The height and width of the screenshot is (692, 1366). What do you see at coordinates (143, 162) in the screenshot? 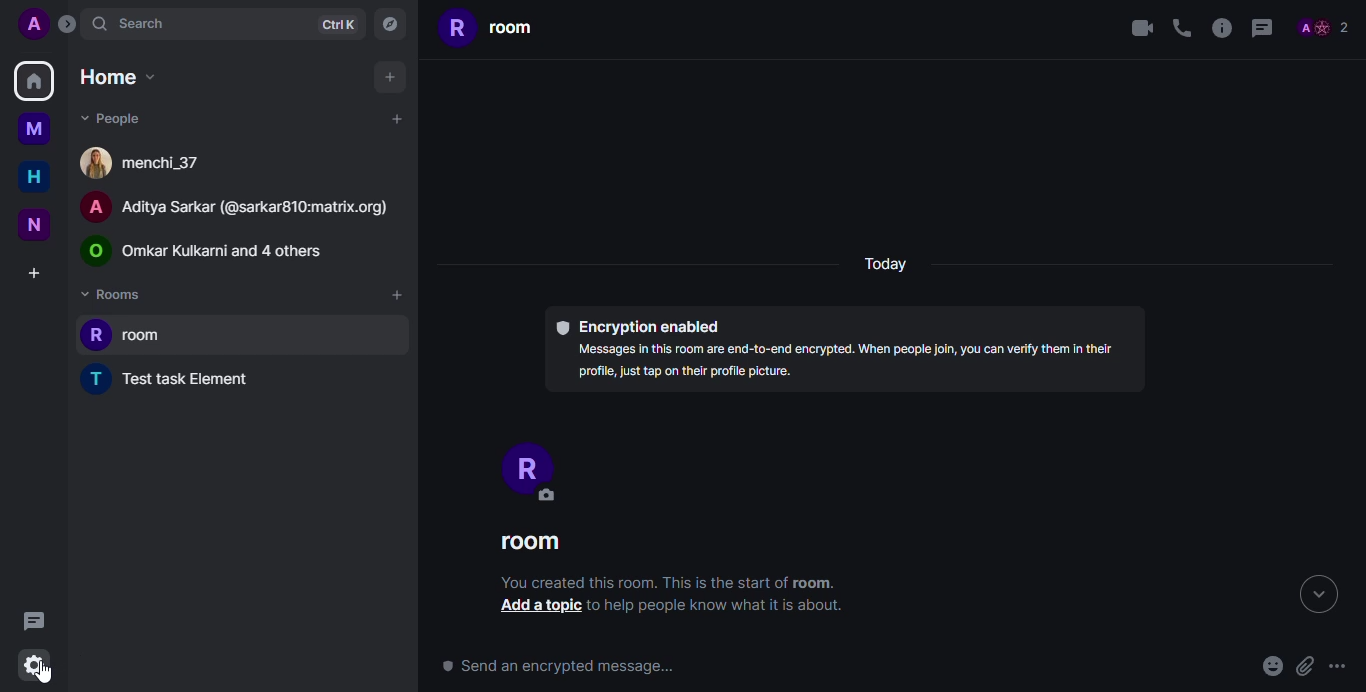
I see `people` at bounding box center [143, 162].